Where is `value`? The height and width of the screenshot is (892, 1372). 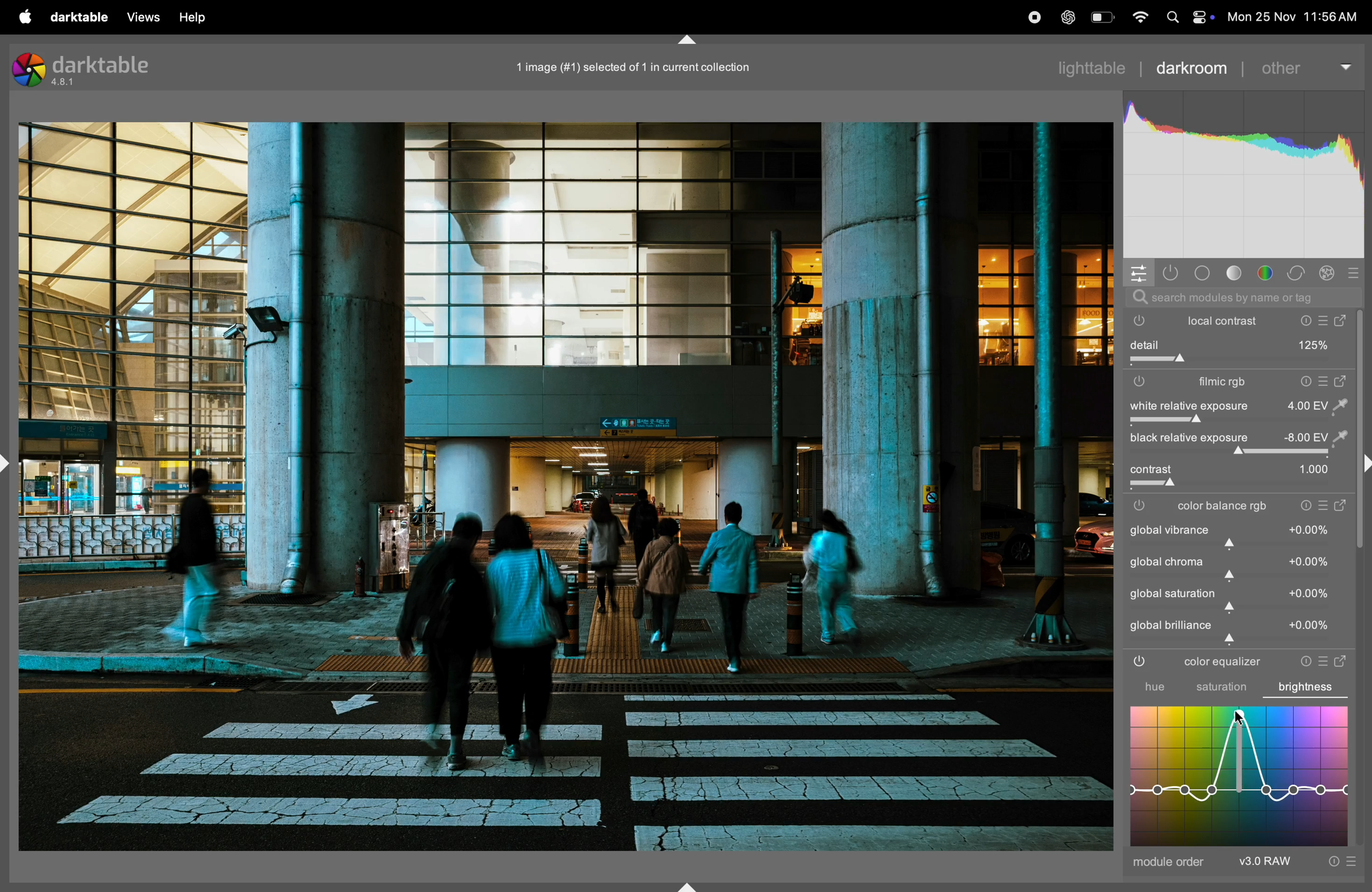 value is located at coordinates (1313, 470).